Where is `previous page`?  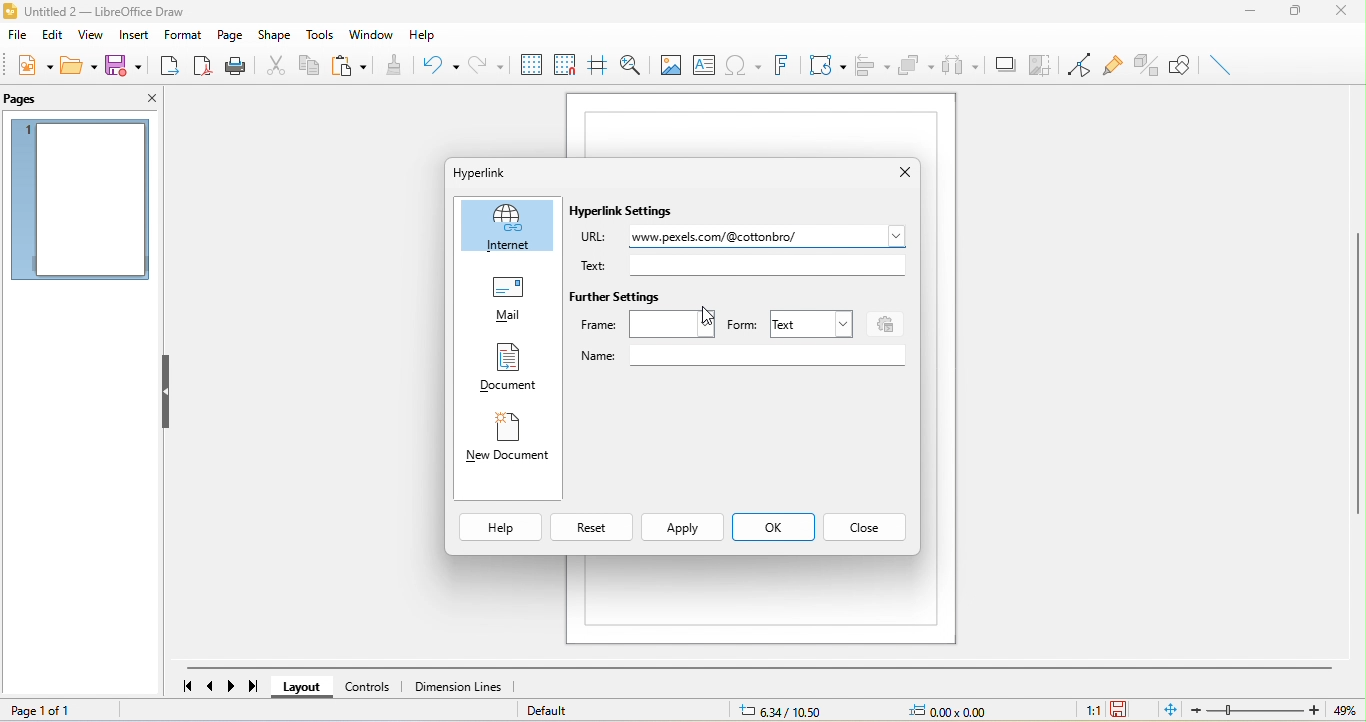 previous page is located at coordinates (212, 688).